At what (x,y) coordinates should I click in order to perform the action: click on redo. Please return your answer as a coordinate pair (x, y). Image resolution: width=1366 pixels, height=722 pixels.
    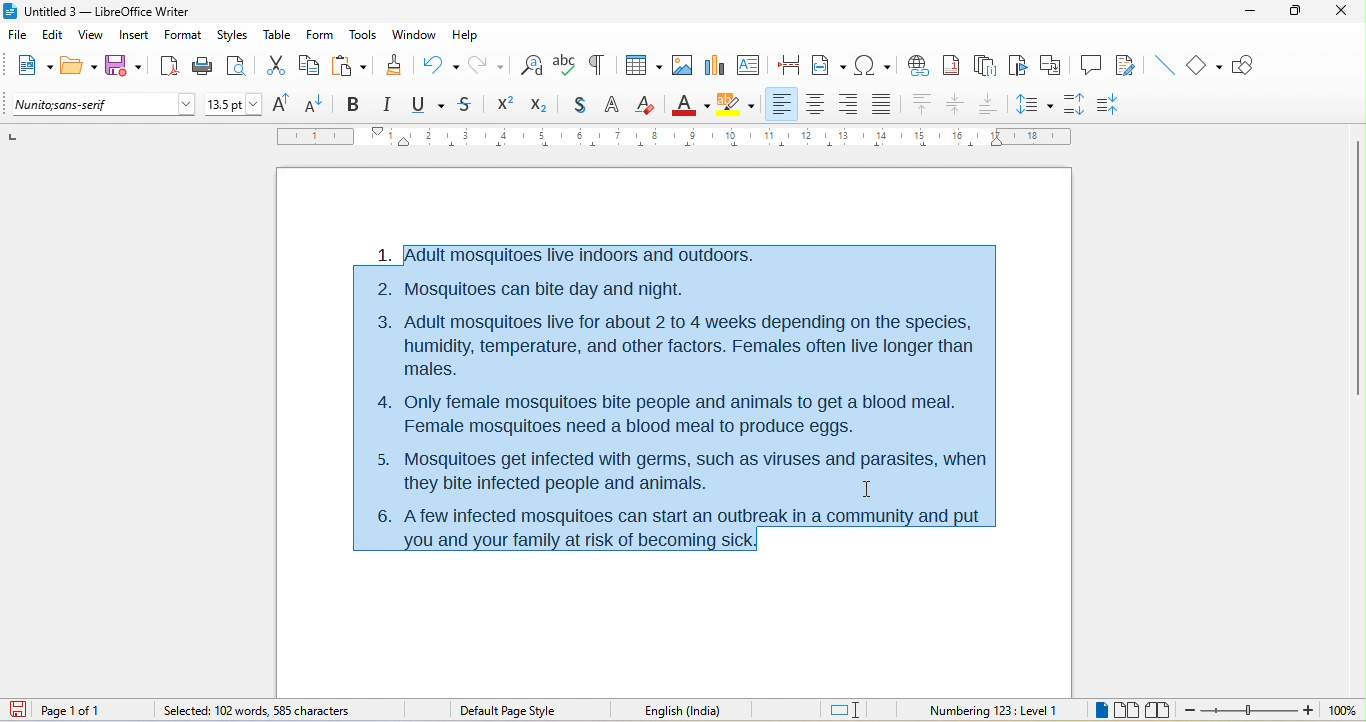
    Looking at the image, I should click on (489, 64).